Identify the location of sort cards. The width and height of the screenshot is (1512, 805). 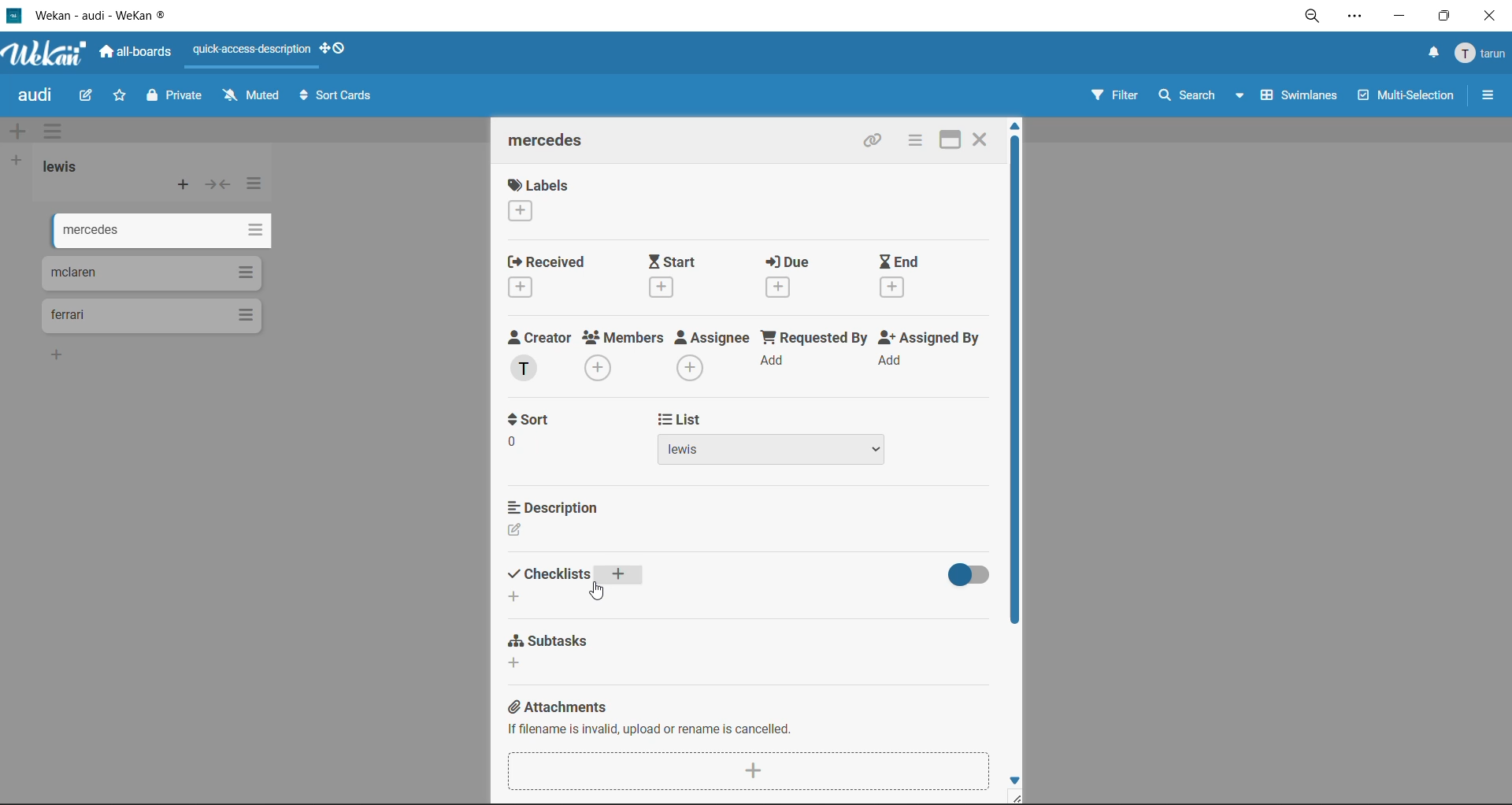
(339, 98).